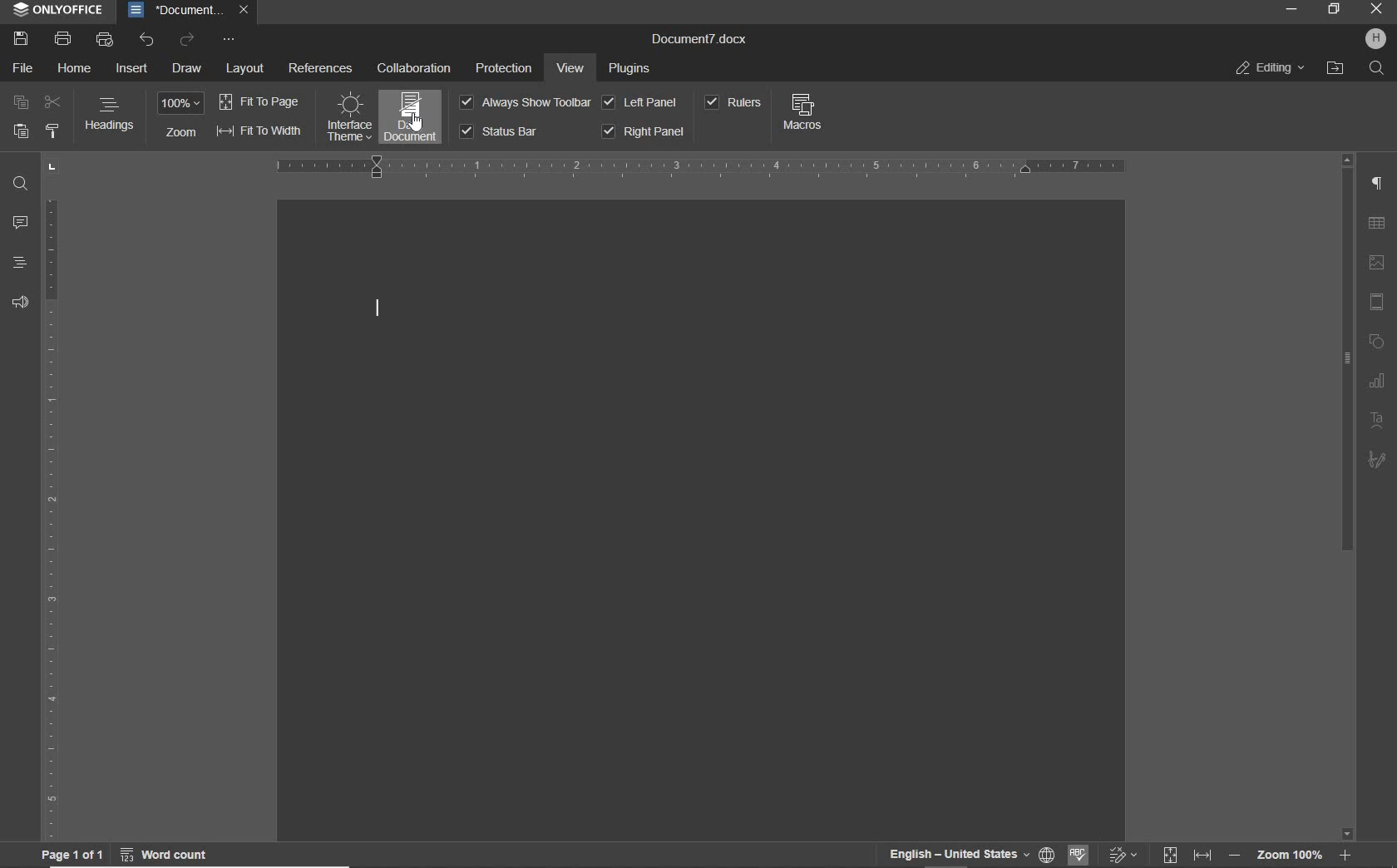 The image size is (1397, 868). What do you see at coordinates (103, 38) in the screenshot?
I see `QUICK PRINT` at bounding box center [103, 38].